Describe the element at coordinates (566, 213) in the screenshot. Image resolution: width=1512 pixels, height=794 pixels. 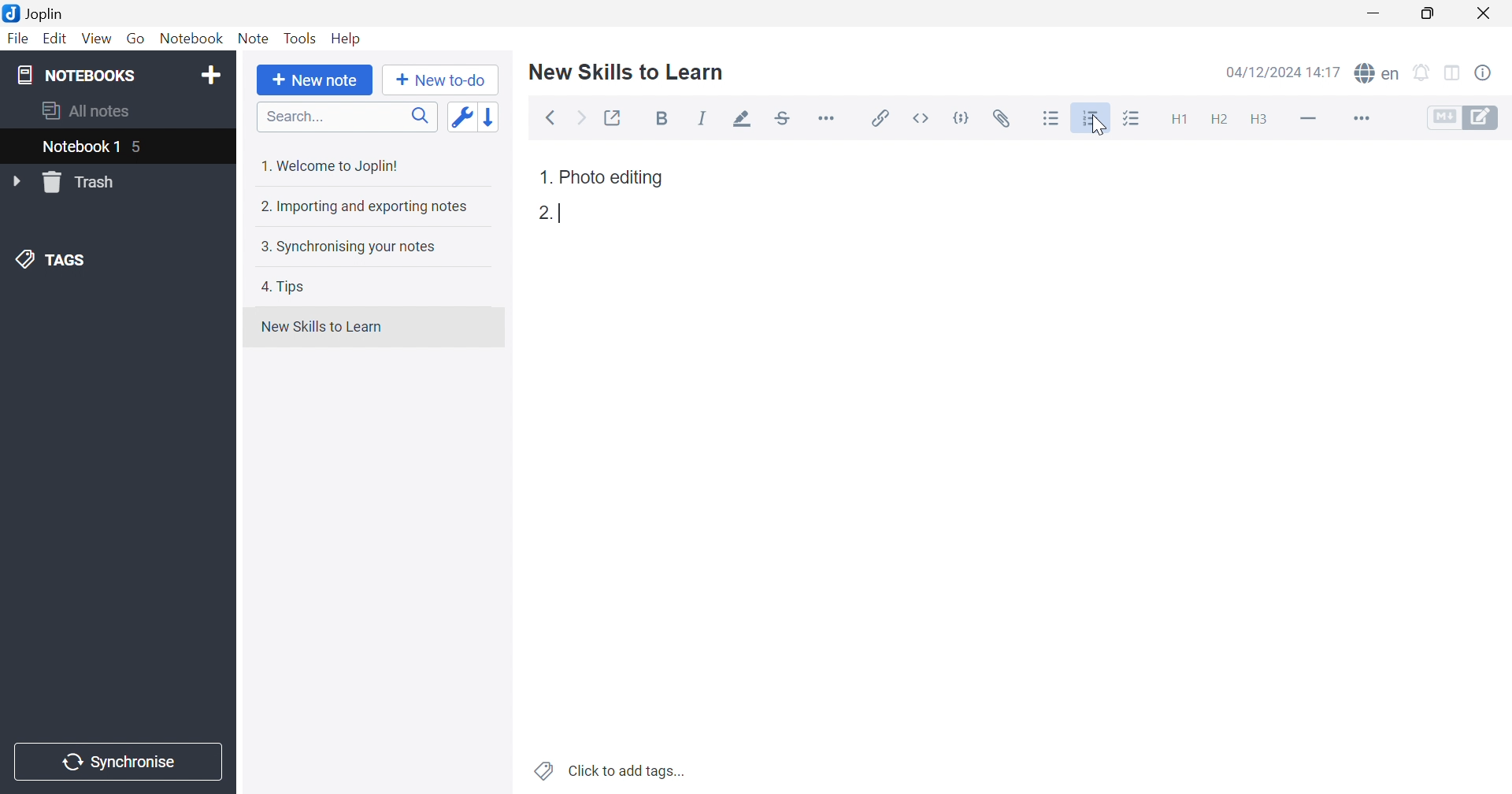
I see `Typing cursor` at that location.